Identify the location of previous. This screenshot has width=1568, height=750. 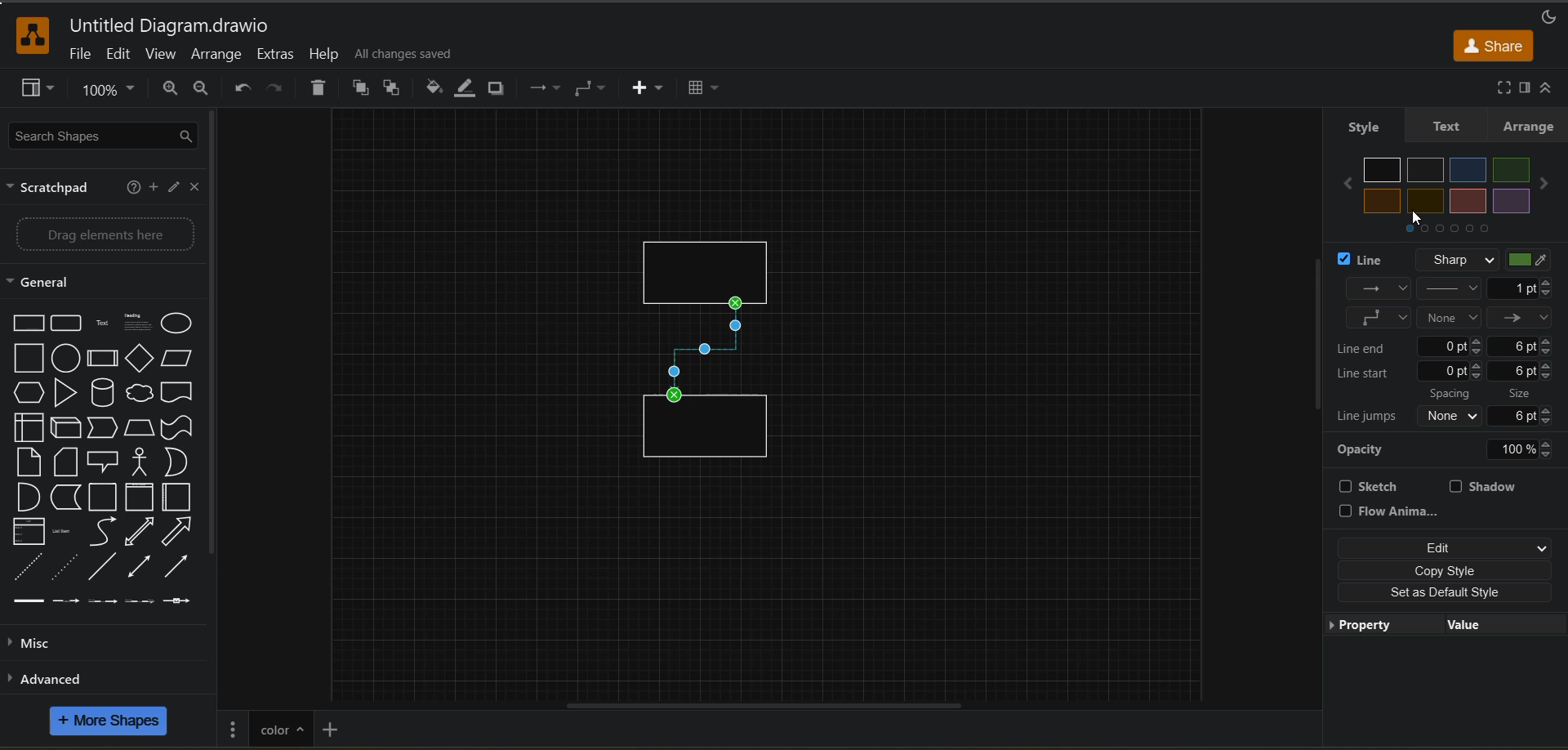
(1343, 185).